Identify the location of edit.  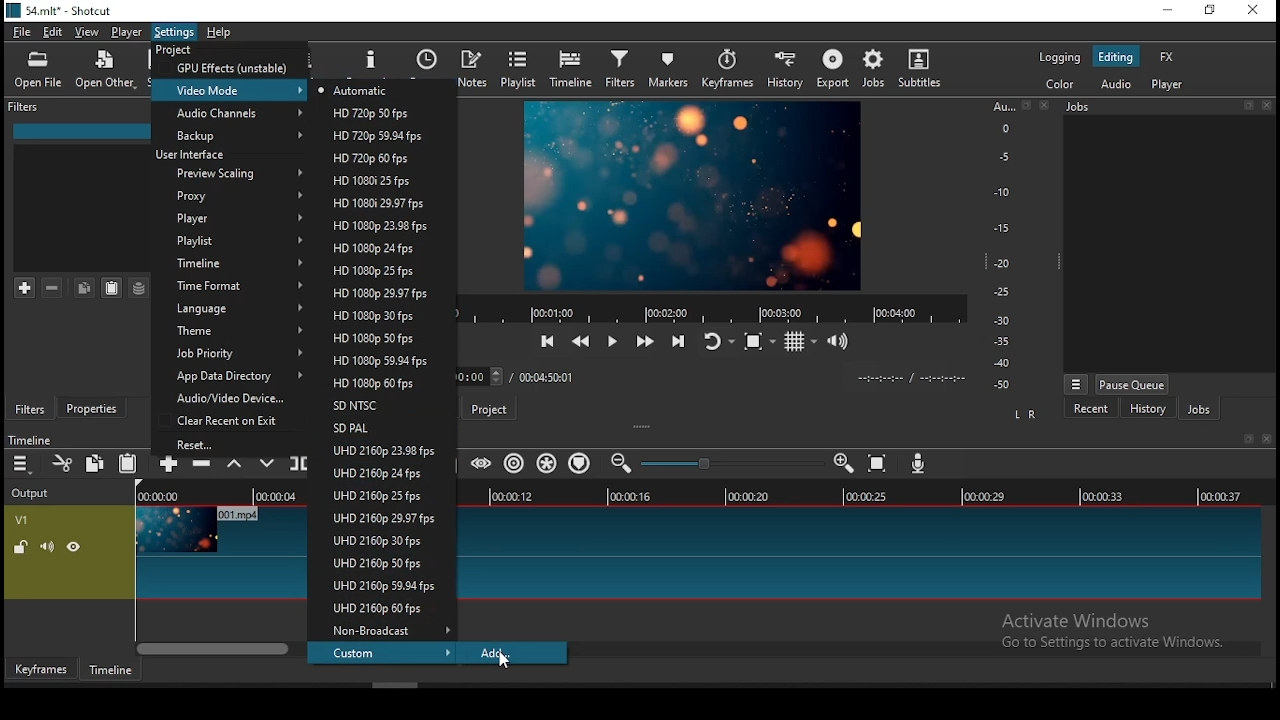
(53, 33).